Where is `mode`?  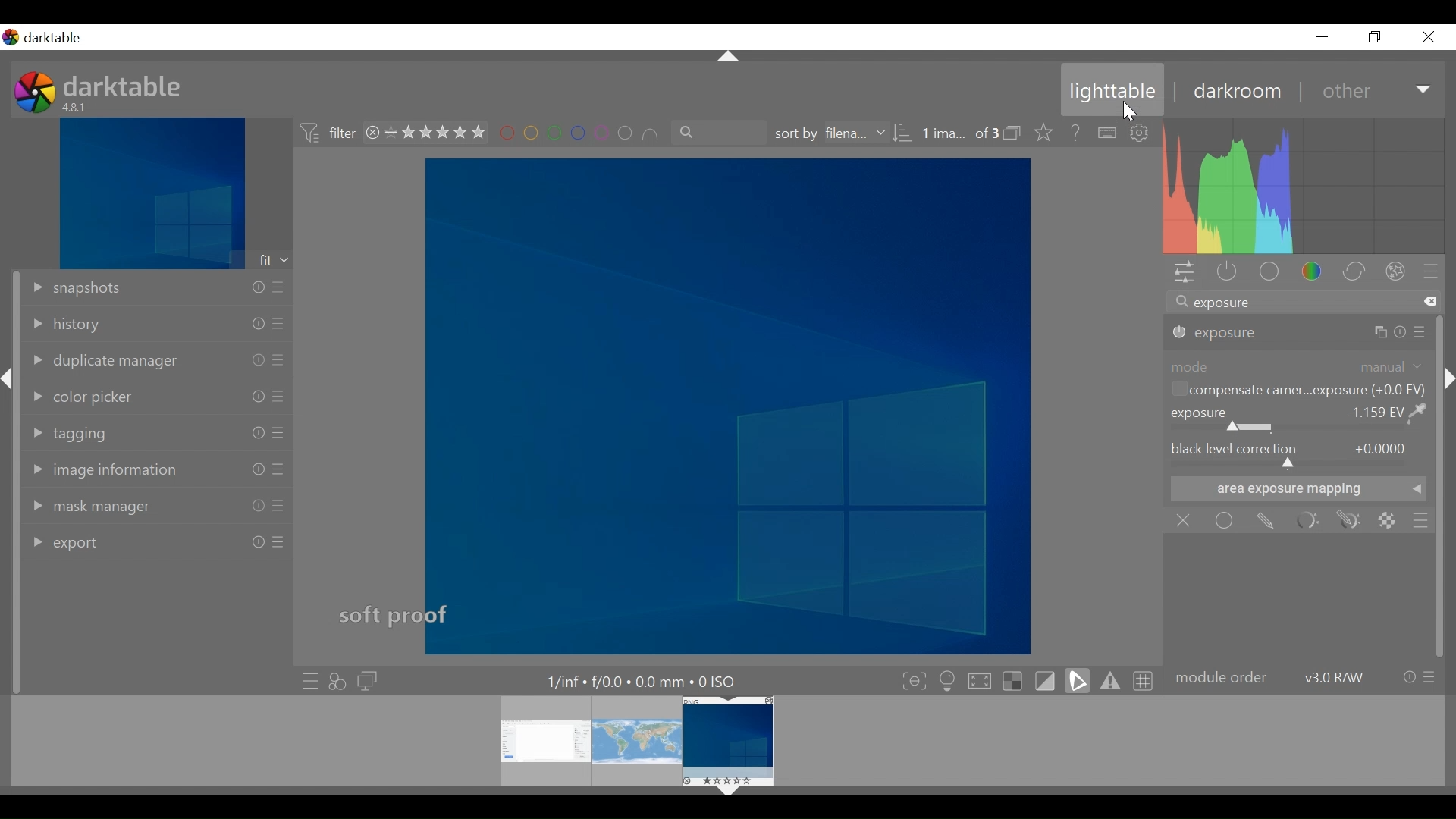
mode is located at coordinates (1191, 365).